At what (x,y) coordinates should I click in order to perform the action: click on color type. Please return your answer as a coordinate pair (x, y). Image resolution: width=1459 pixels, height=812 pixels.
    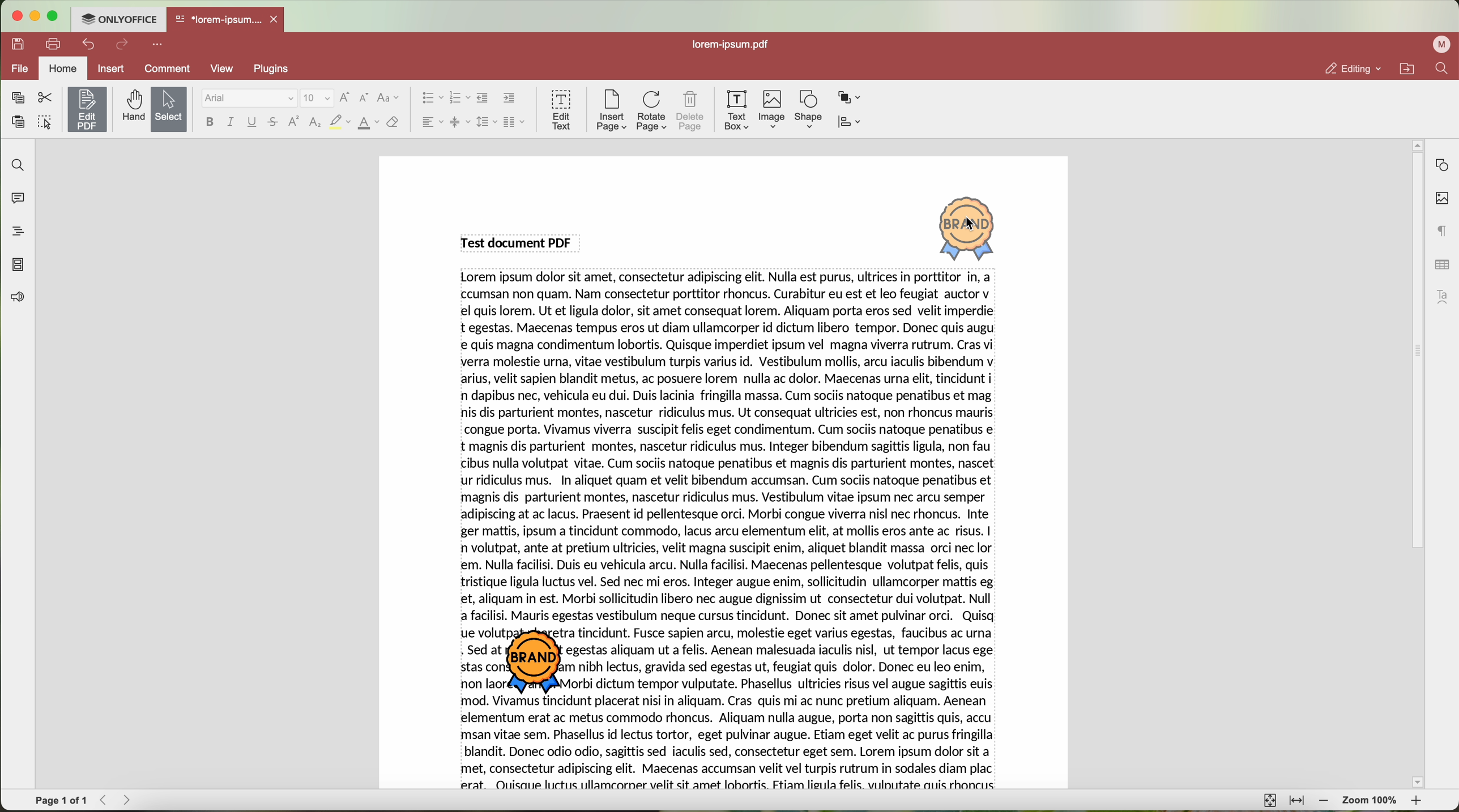
    Looking at the image, I should click on (369, 123).